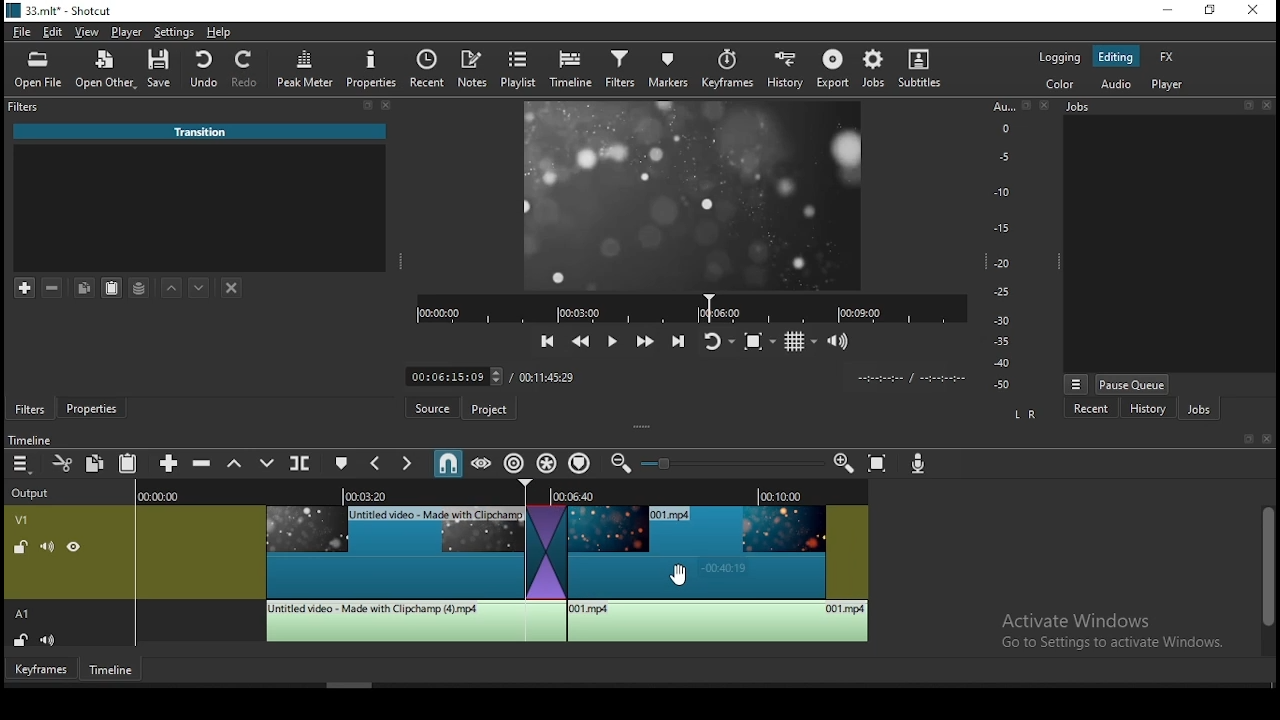  I want to click on paste, so click(127, 462).